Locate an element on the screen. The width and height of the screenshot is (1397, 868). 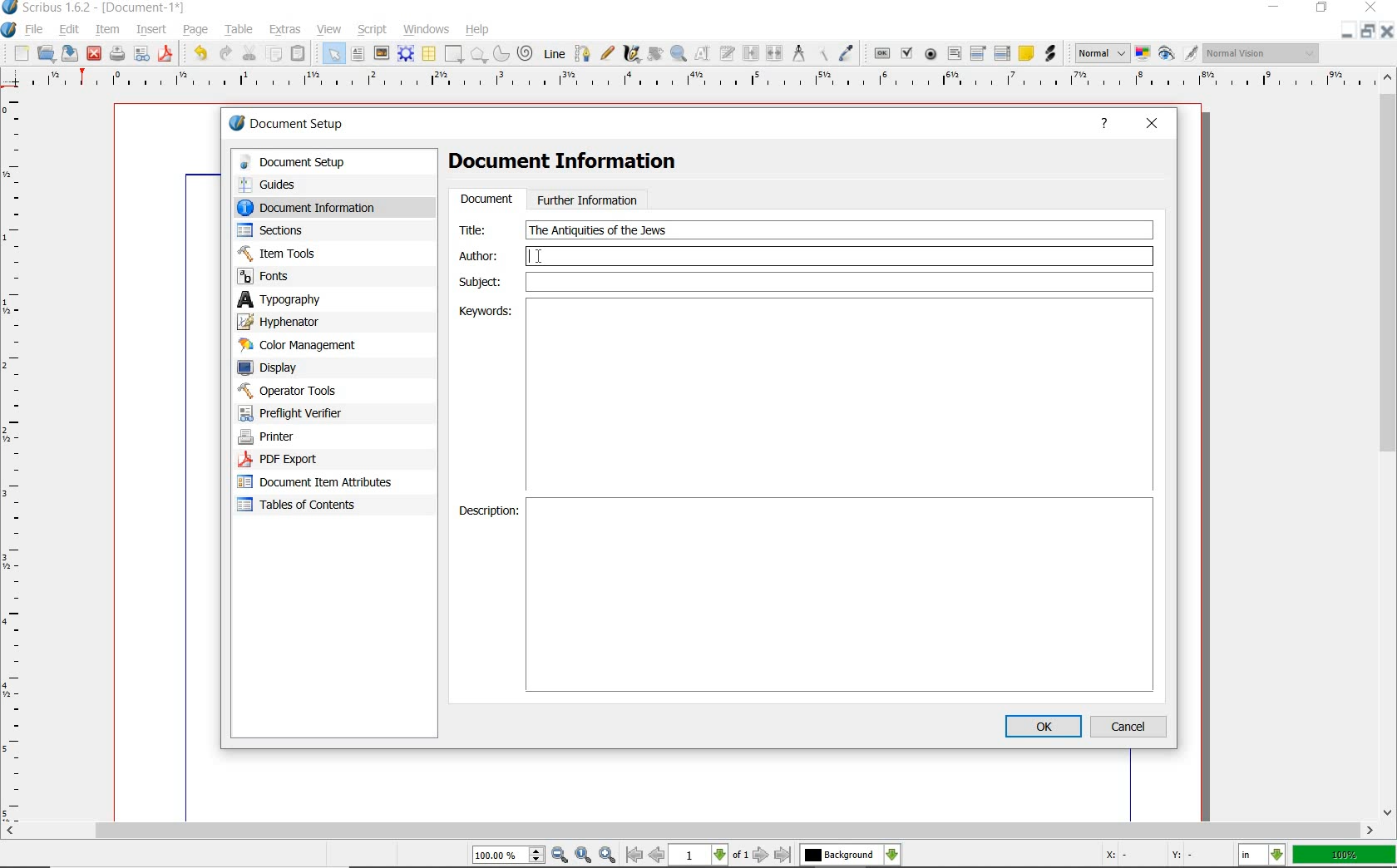
Bezier curve is located at coordinates (582, 53).